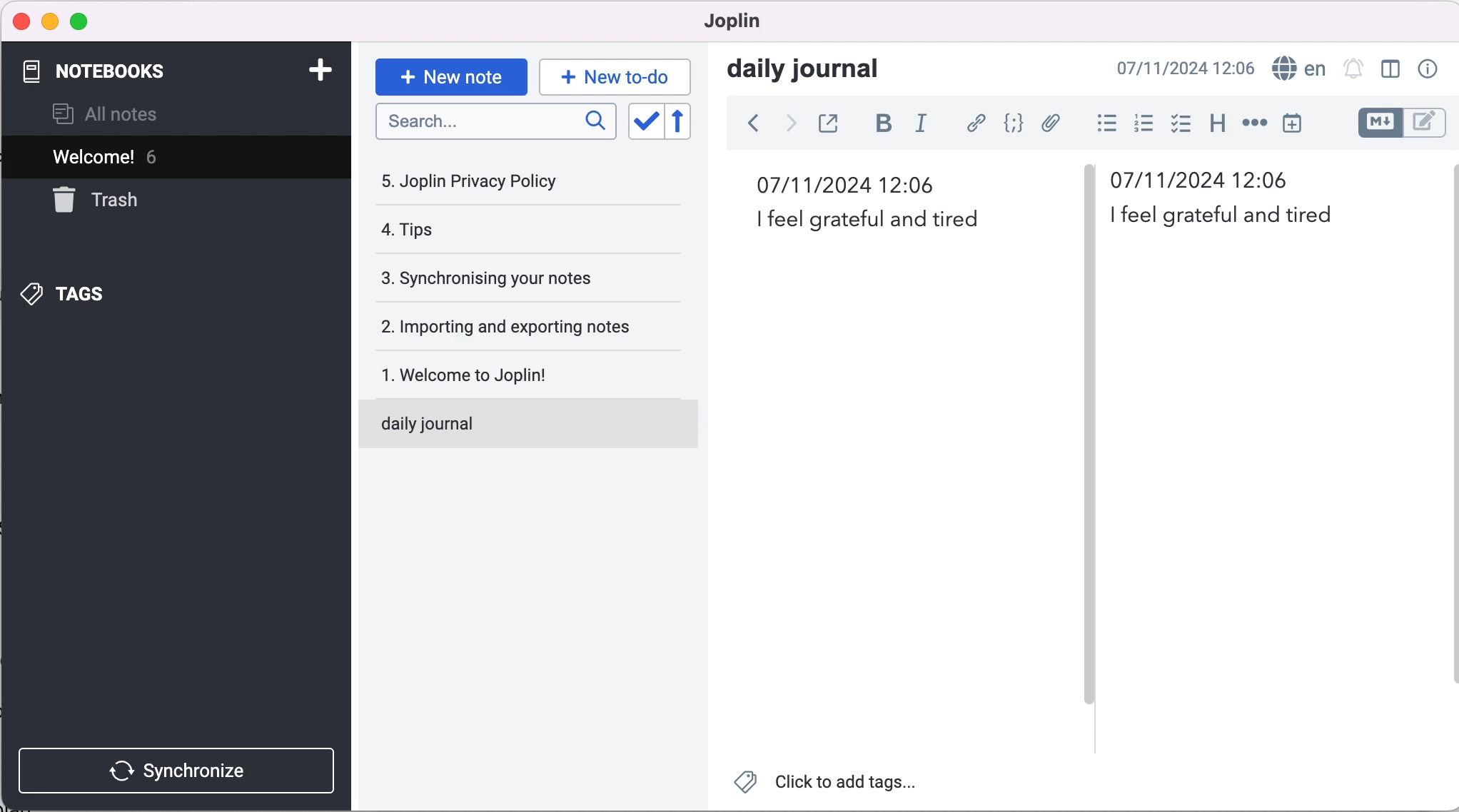  What do you see at coordinates (1091, 199) in the screenshot?
I see `vertical slider` at bounding box center [1091, 199].